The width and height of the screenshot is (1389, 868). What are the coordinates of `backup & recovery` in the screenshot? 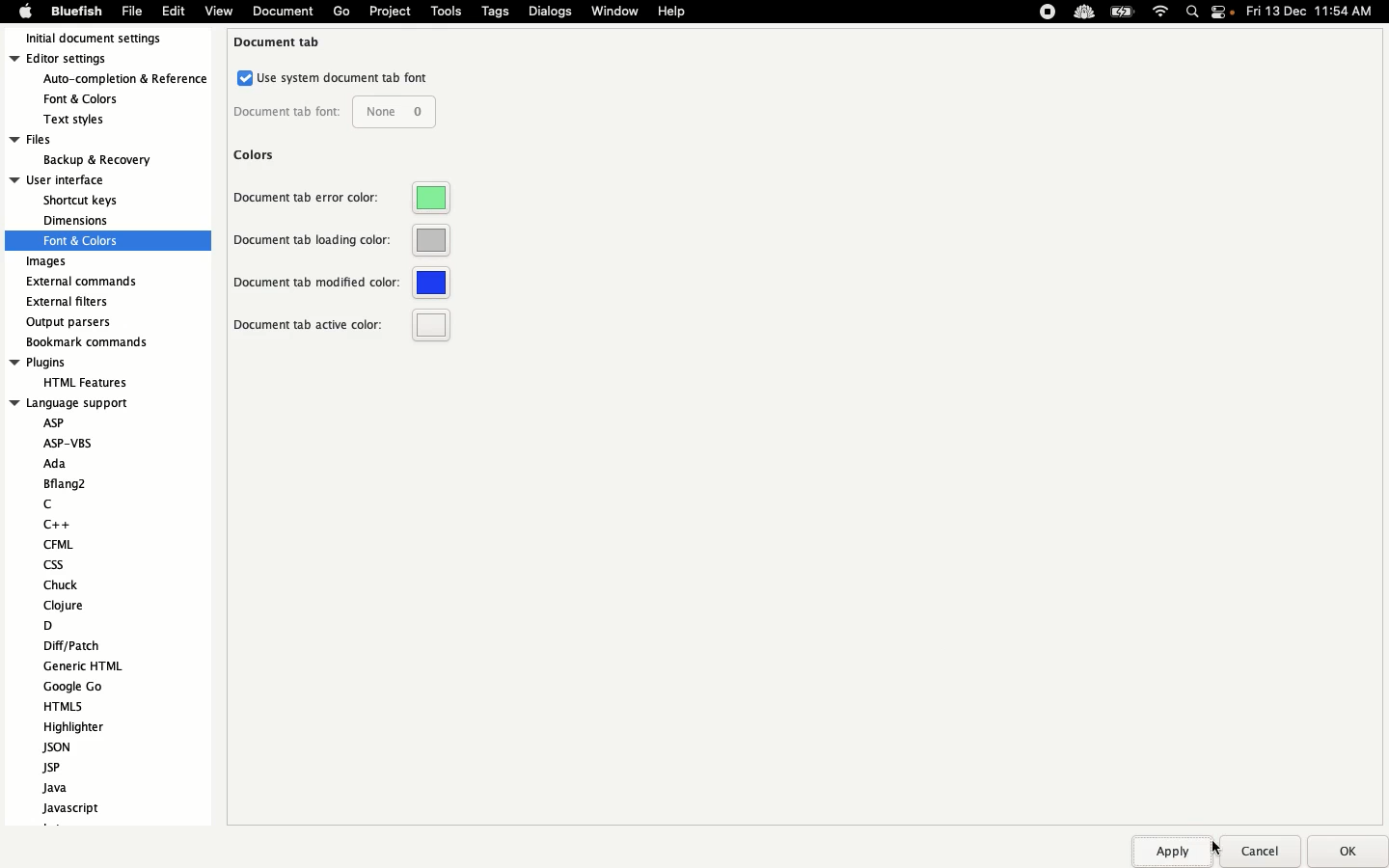 It's located at (95, 160).